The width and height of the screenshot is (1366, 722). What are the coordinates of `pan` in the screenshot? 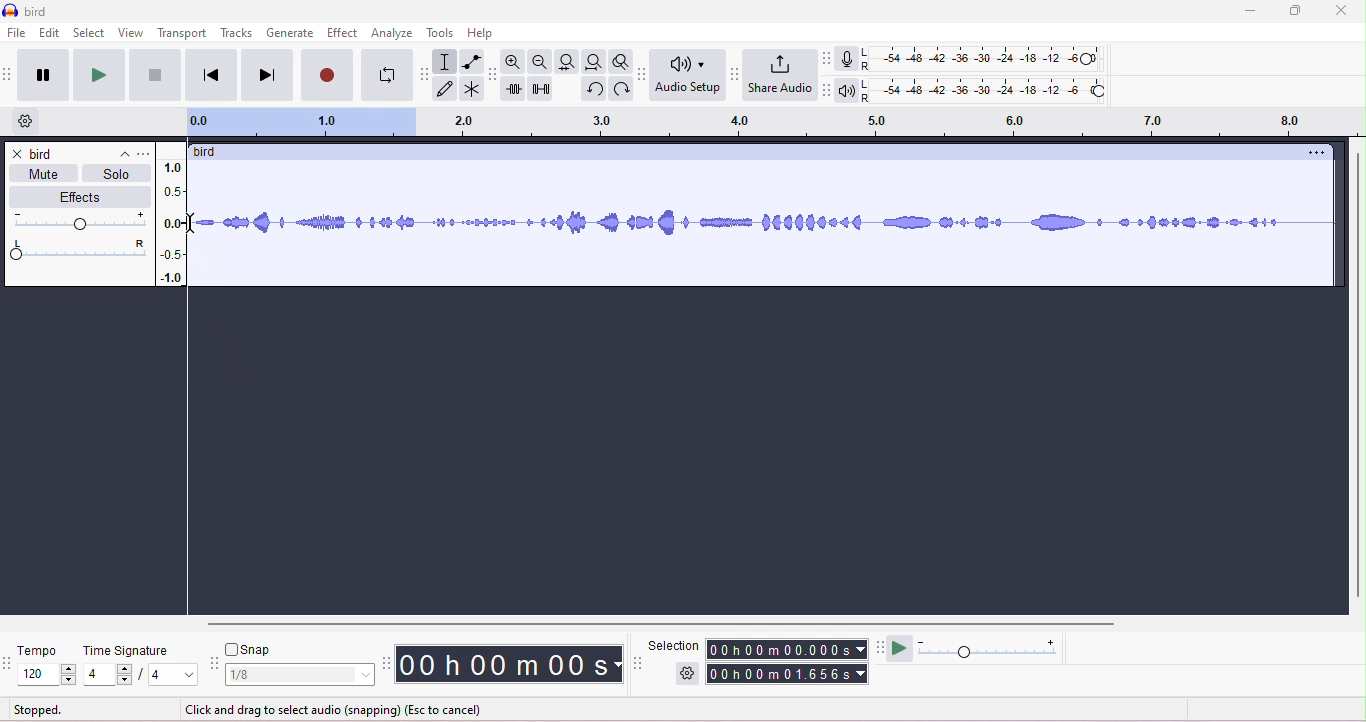 It's located at (79, 250).